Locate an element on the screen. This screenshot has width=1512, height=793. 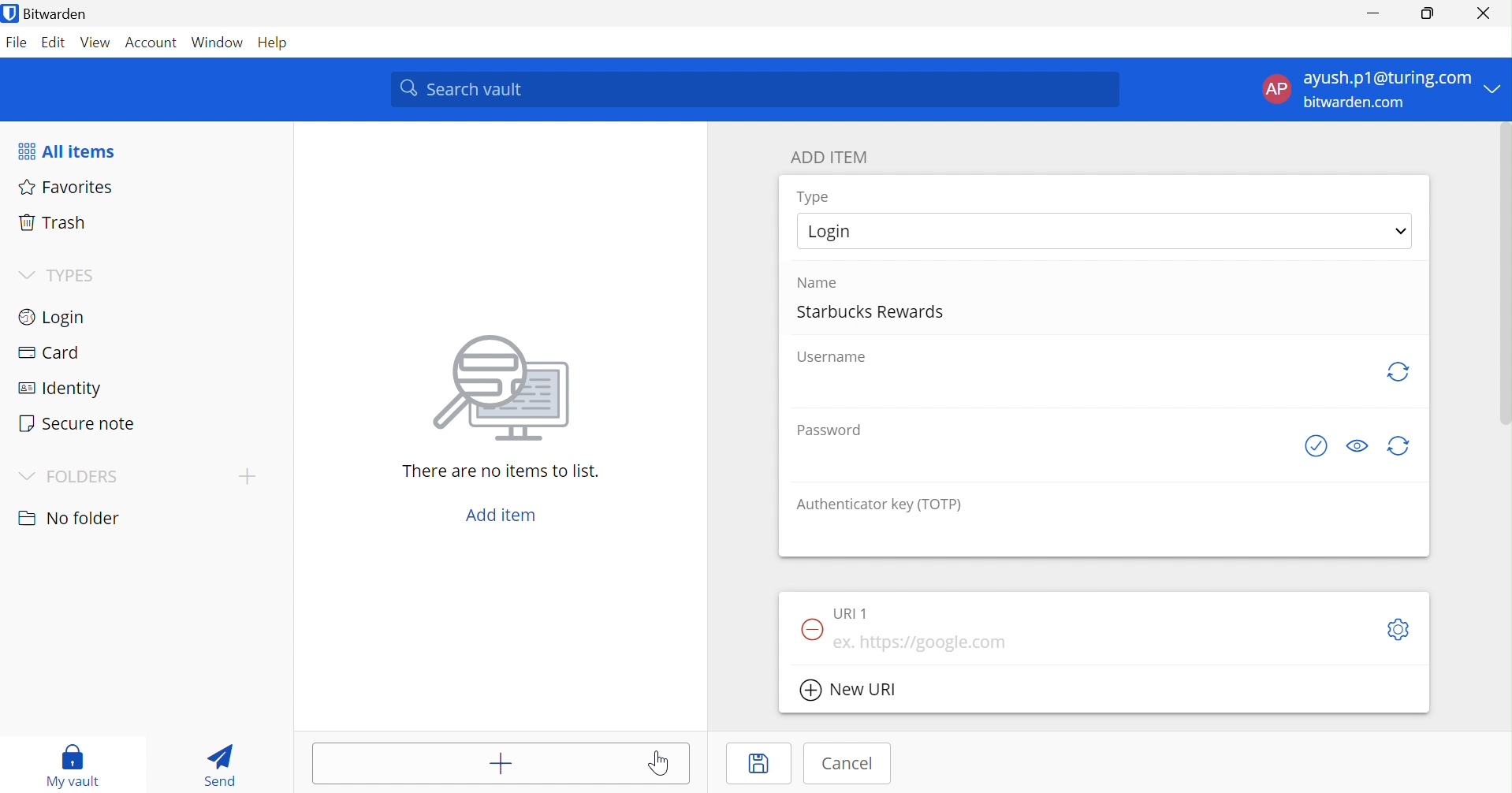
bitwarden.com is located at coordinates (1356, 103).